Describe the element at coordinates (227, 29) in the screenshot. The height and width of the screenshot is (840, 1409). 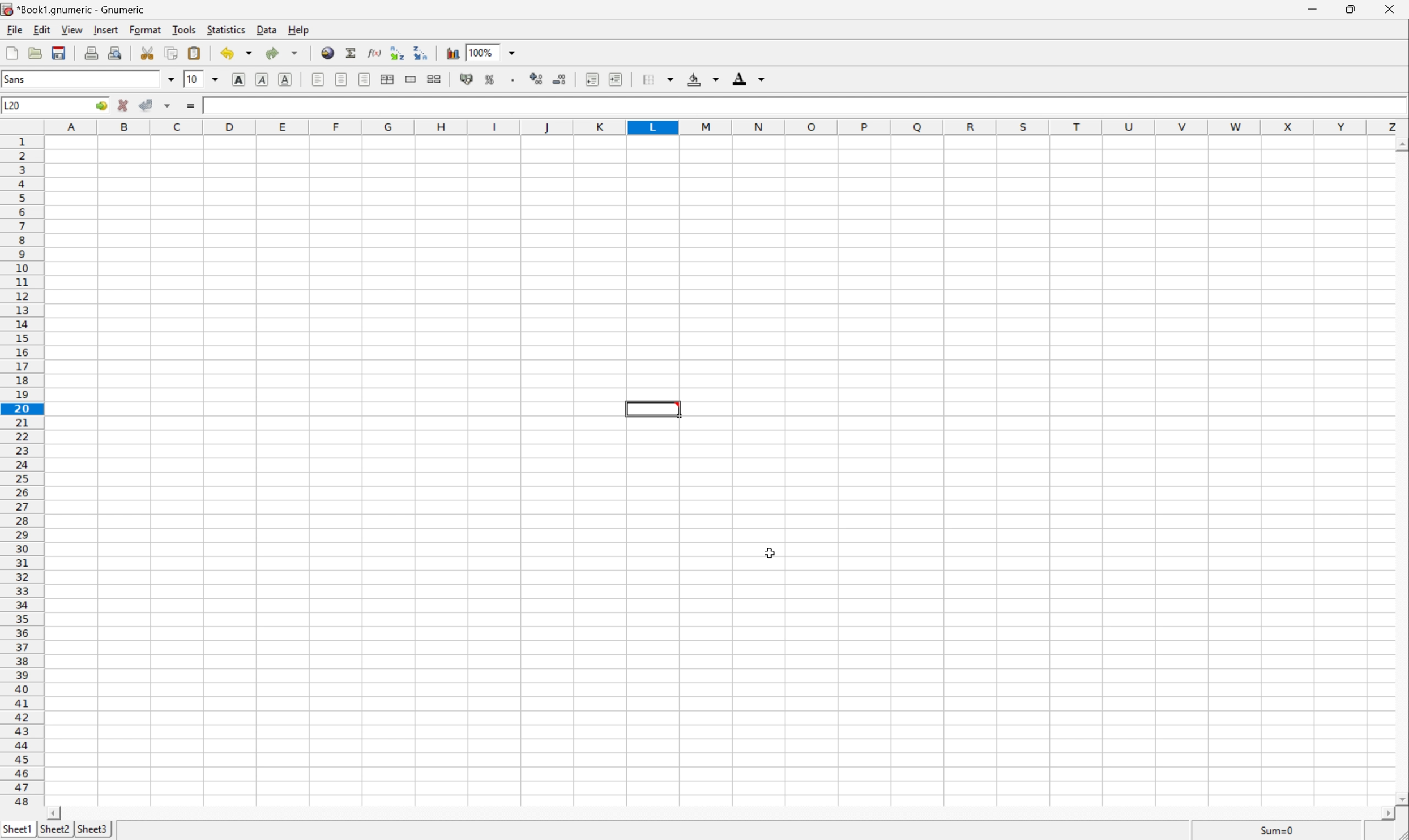
I see `Statistics` at that location.